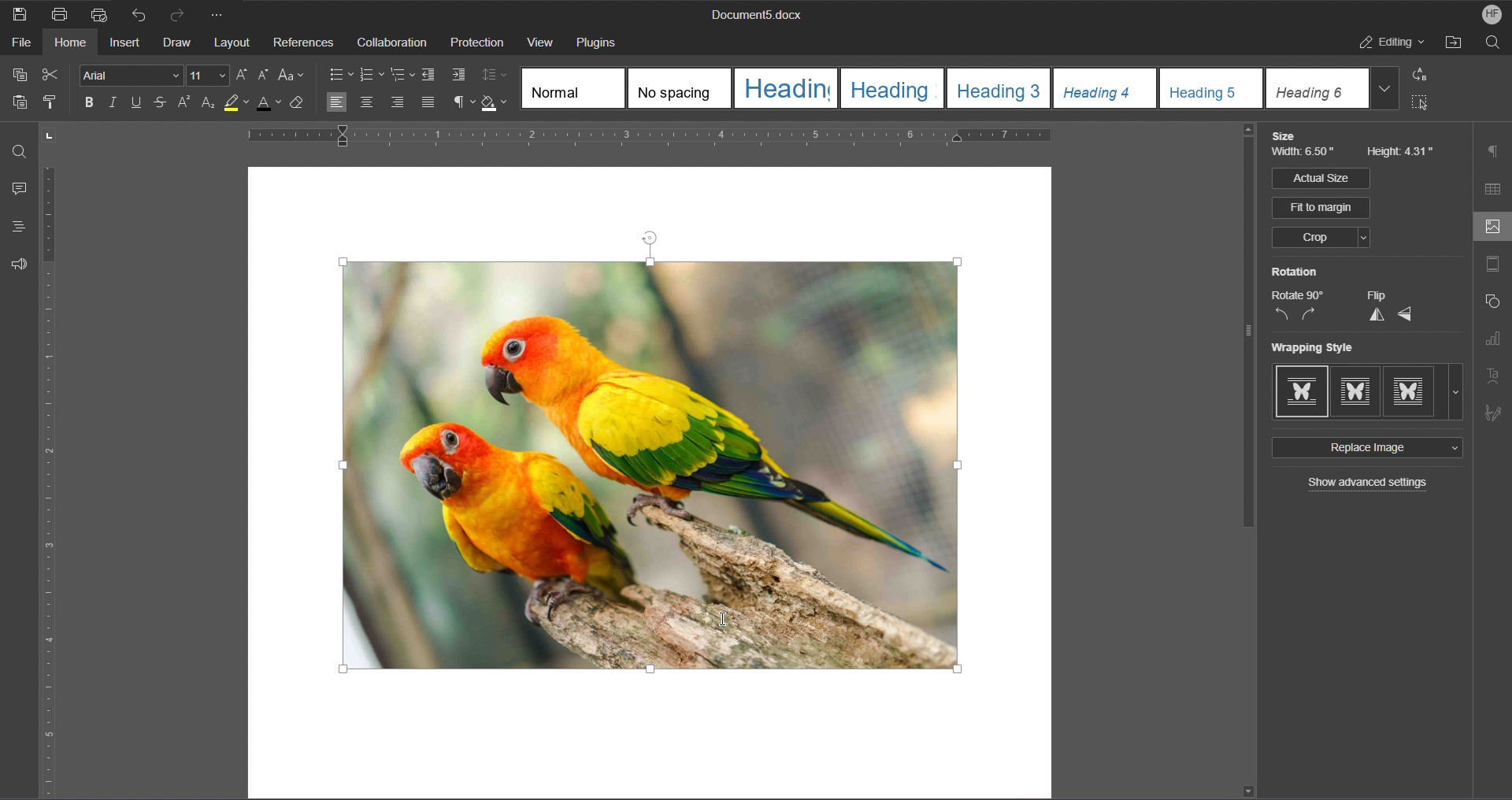 The image size is (1512, 800). What do you see at coordinates (1322, 208) in the screenshot?
I see `Fit to margin` at bounding box center [1322, 208].